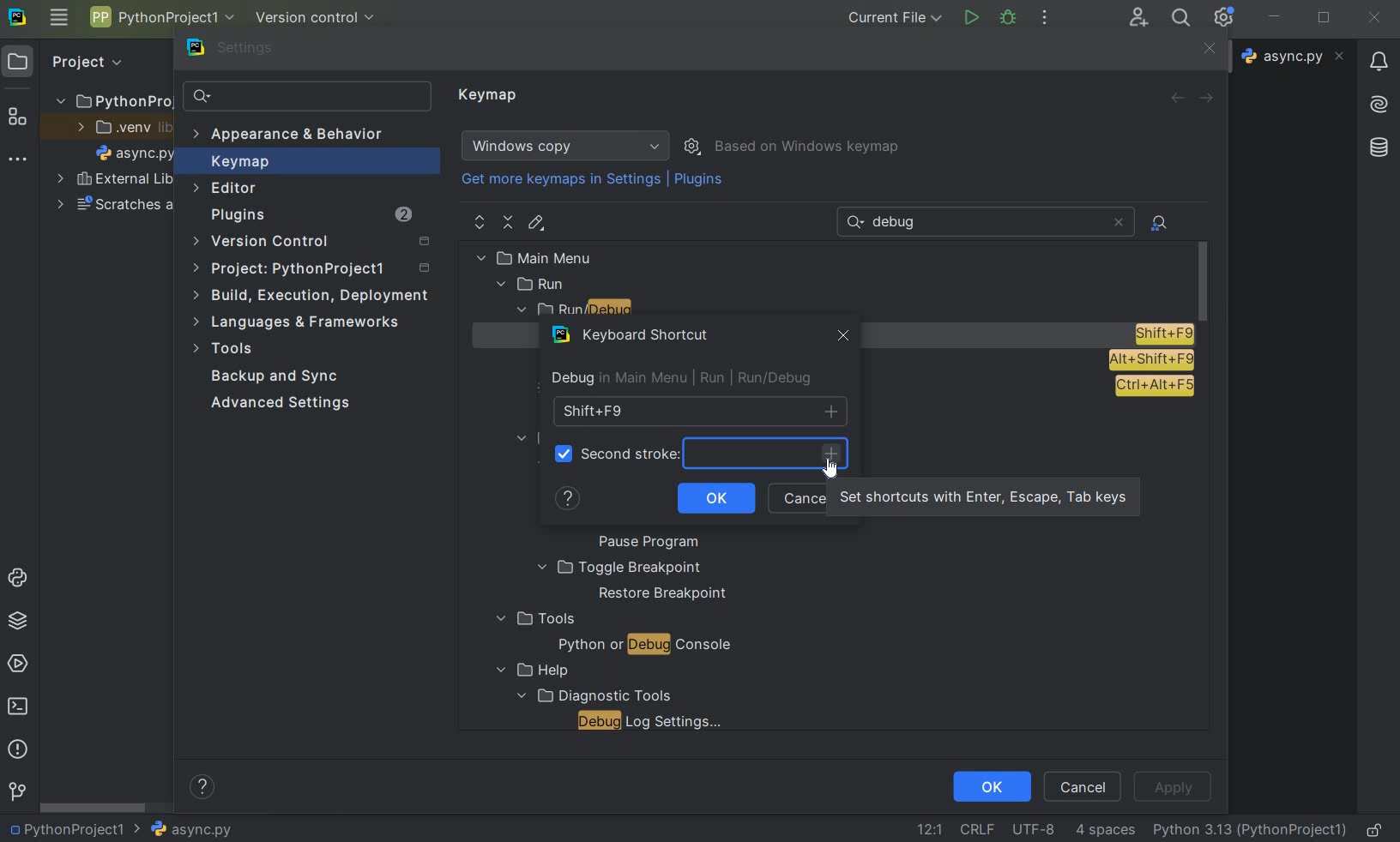 This screenshot has width=1400, height=842. Describe the element at coordinates (480, 223) in the screenshot. I see `expand all` at that location.